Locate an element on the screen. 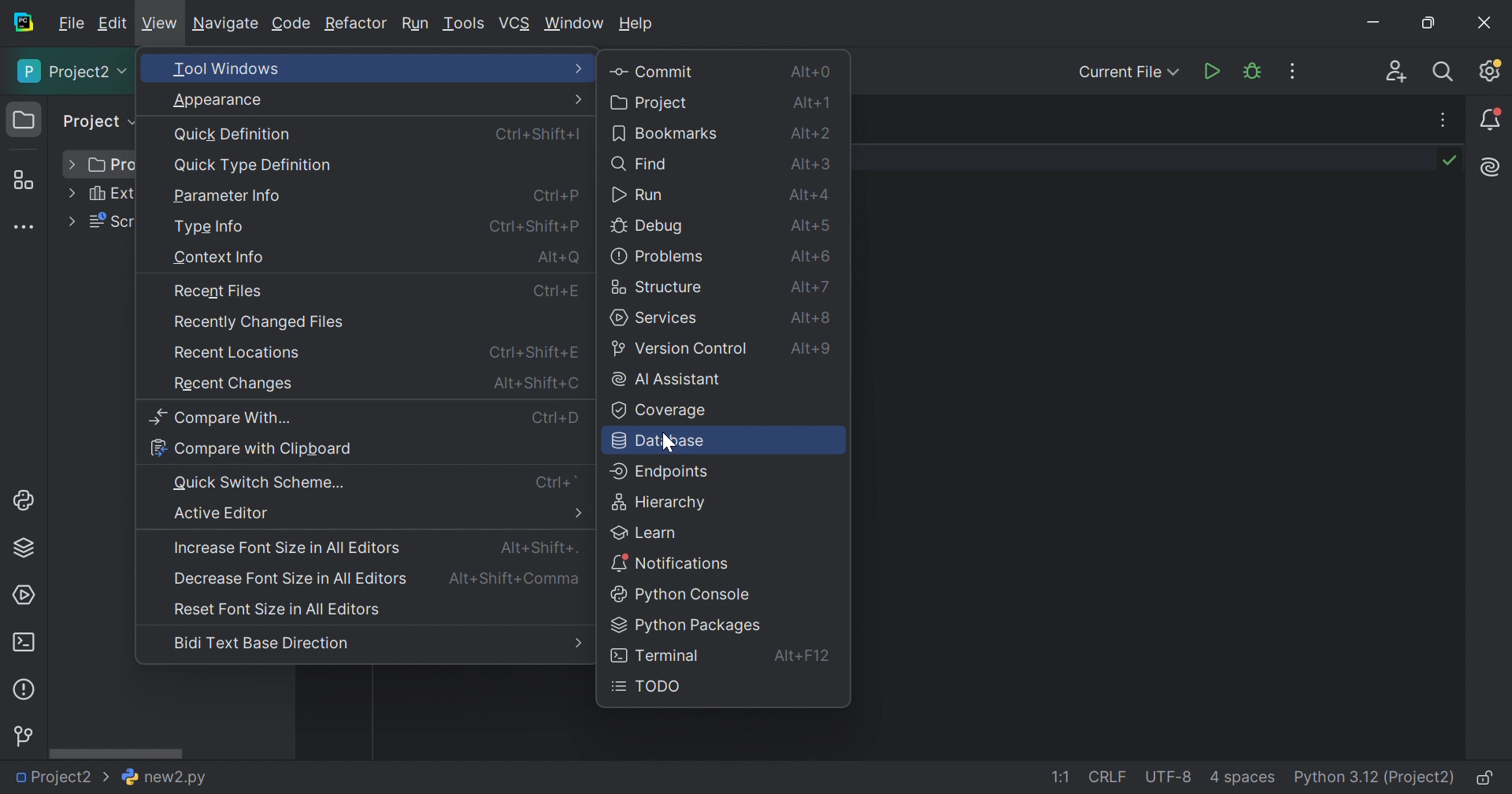  Navigate is located at coordinates (227, 25).